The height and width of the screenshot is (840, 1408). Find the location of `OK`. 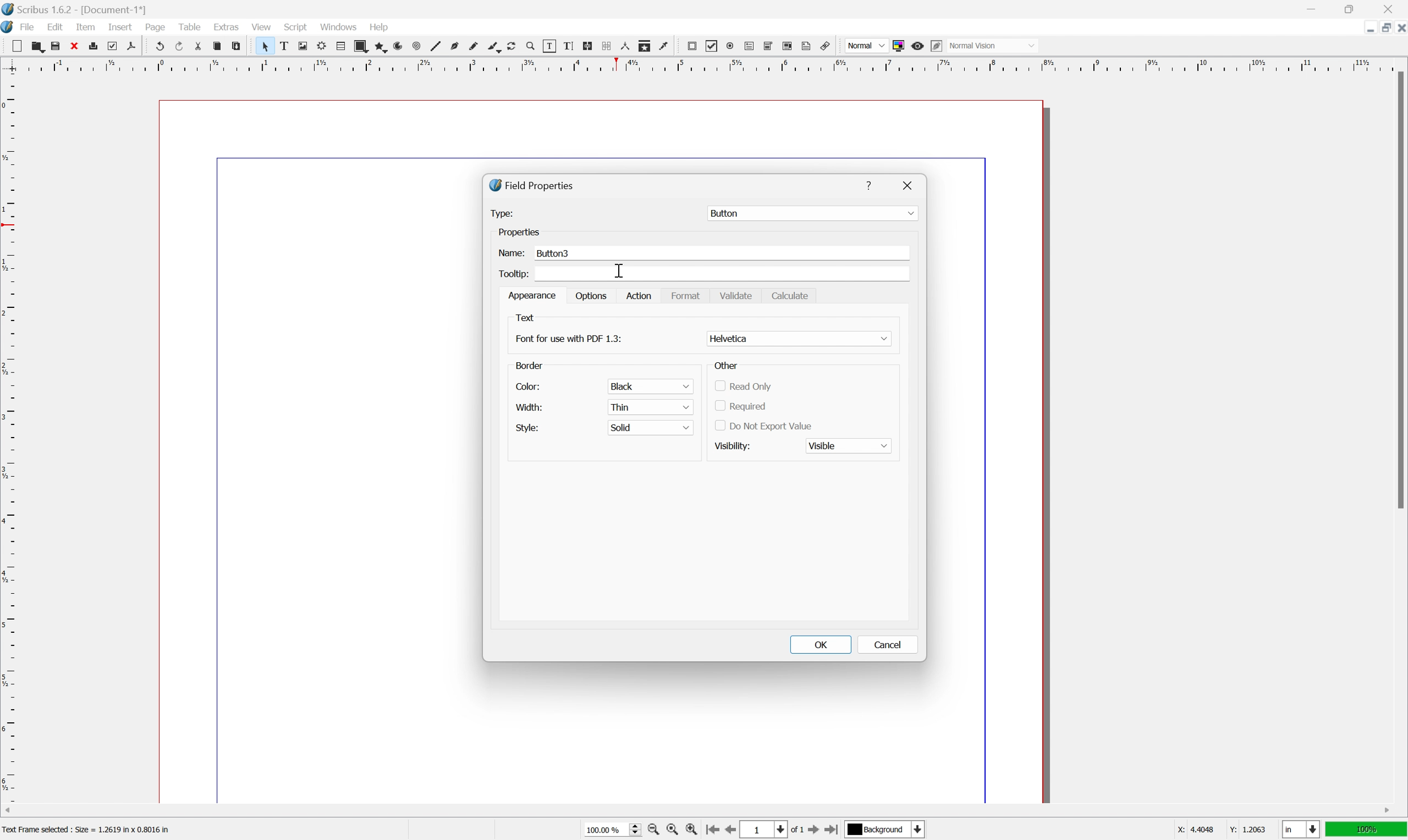

OK is located at coordinates (823, 643).